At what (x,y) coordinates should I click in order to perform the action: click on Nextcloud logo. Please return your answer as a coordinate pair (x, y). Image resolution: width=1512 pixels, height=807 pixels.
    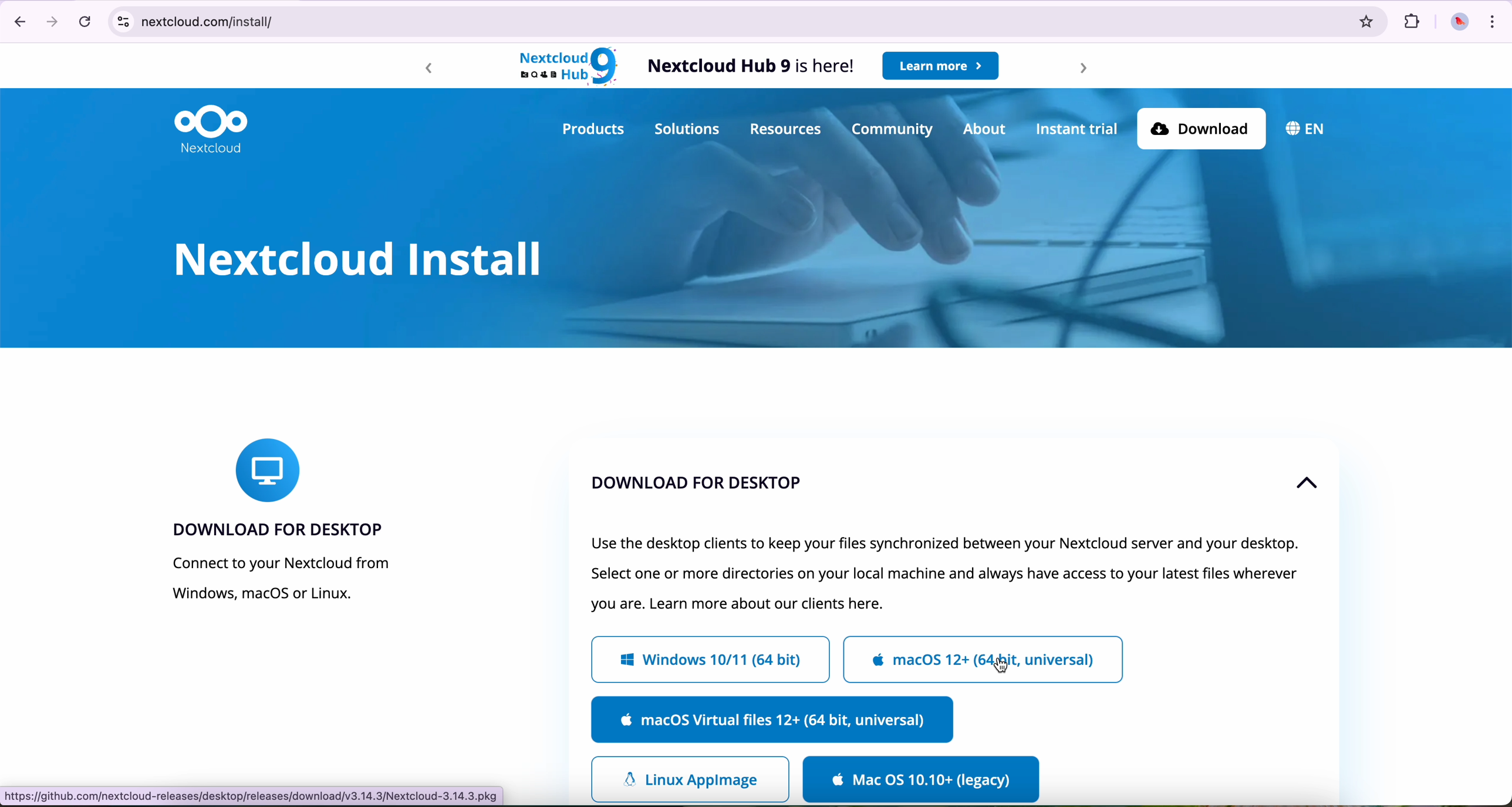
    Looking at the image, I should click on (212, 127).